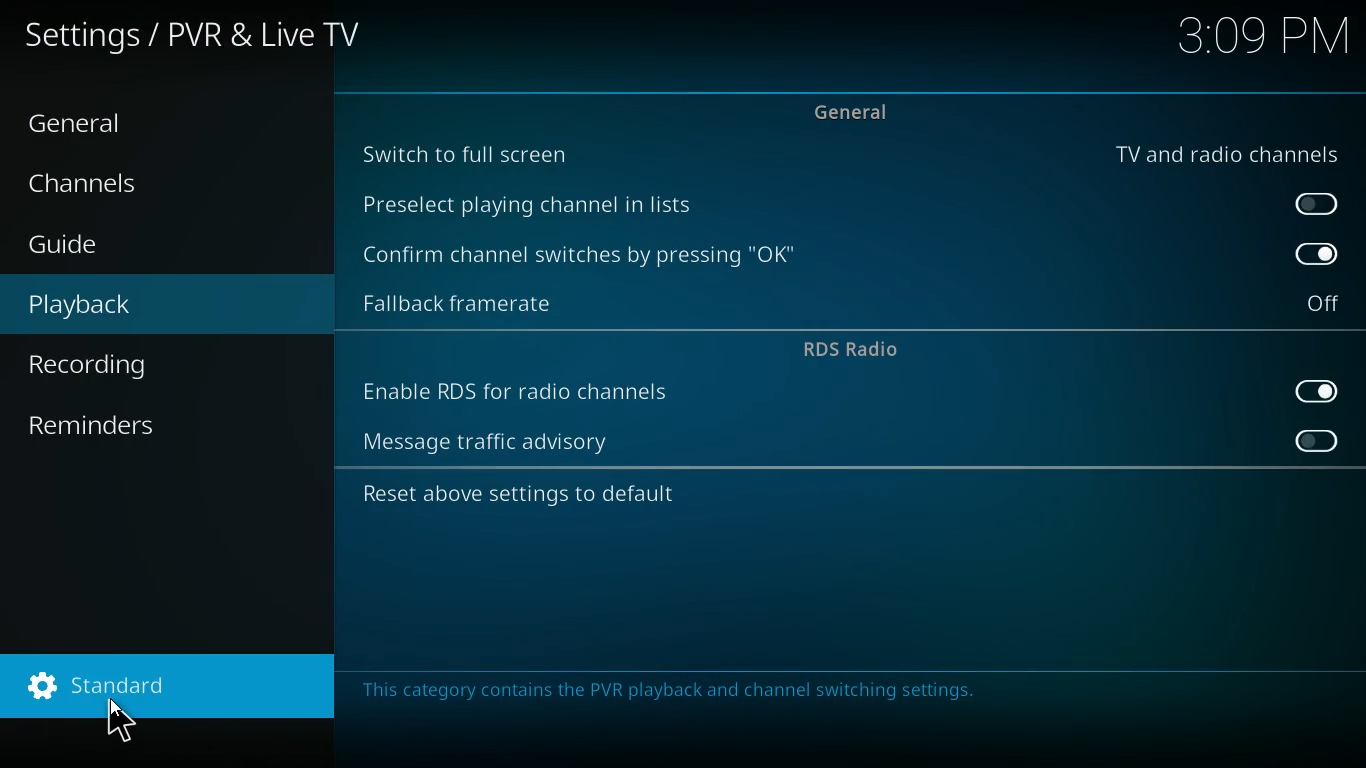 This screenshot has width=1366, height=768. I want to click on guide, so click(123, 247).